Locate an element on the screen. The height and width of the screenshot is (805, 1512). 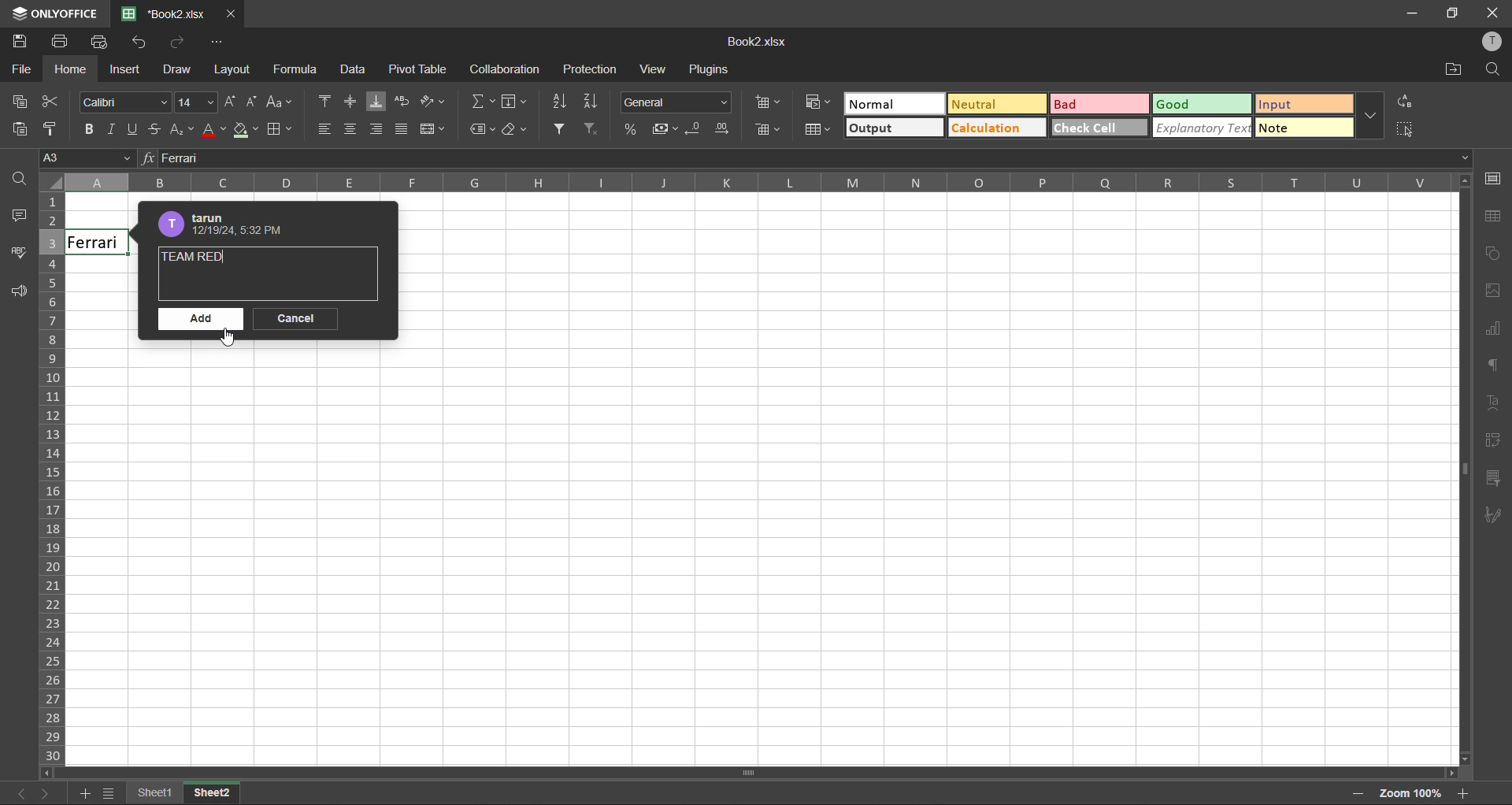
align middle is located at coordinates (350, 102).